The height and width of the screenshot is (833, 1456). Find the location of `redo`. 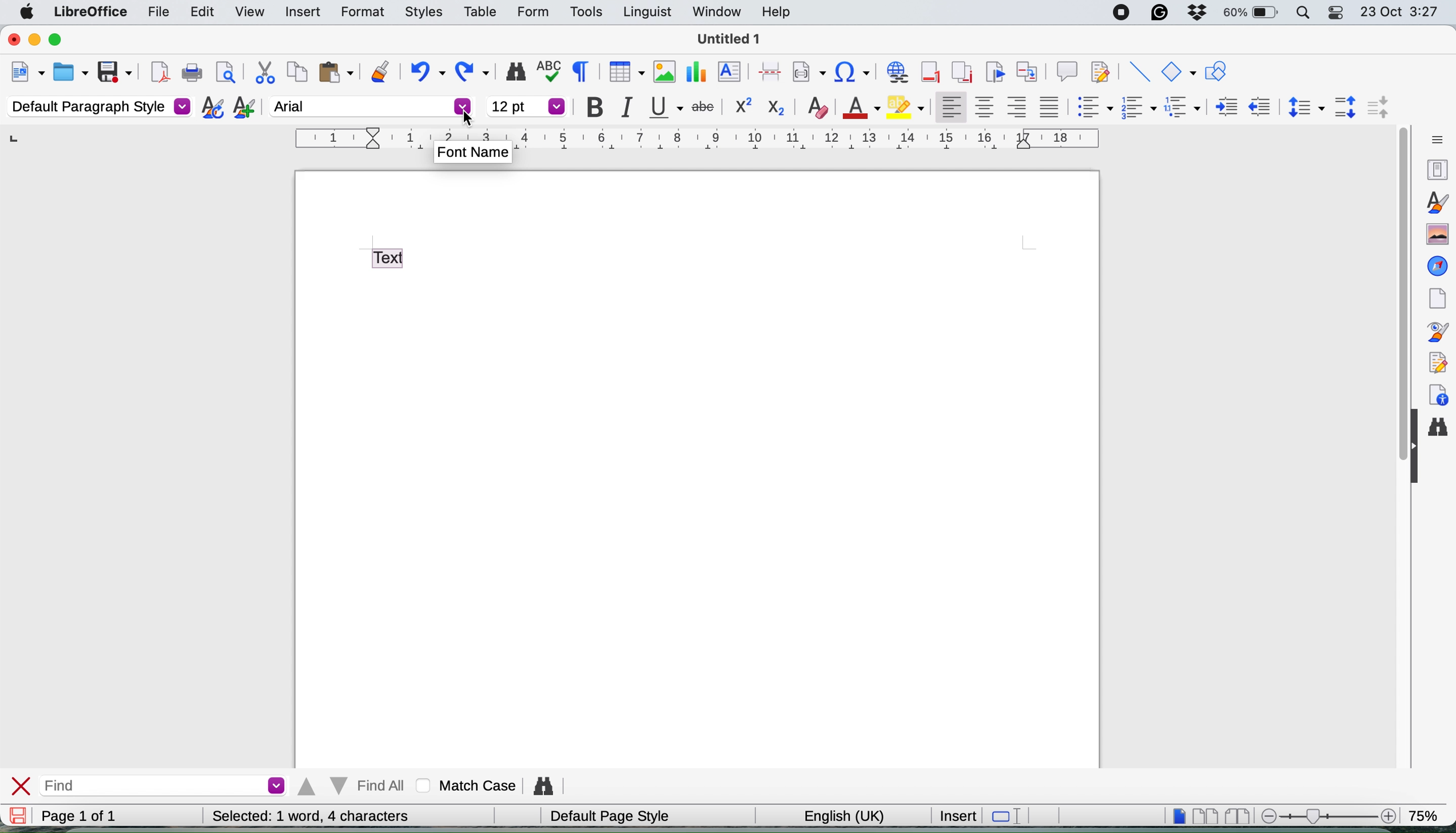

redo is located at coordinates (476, 72).